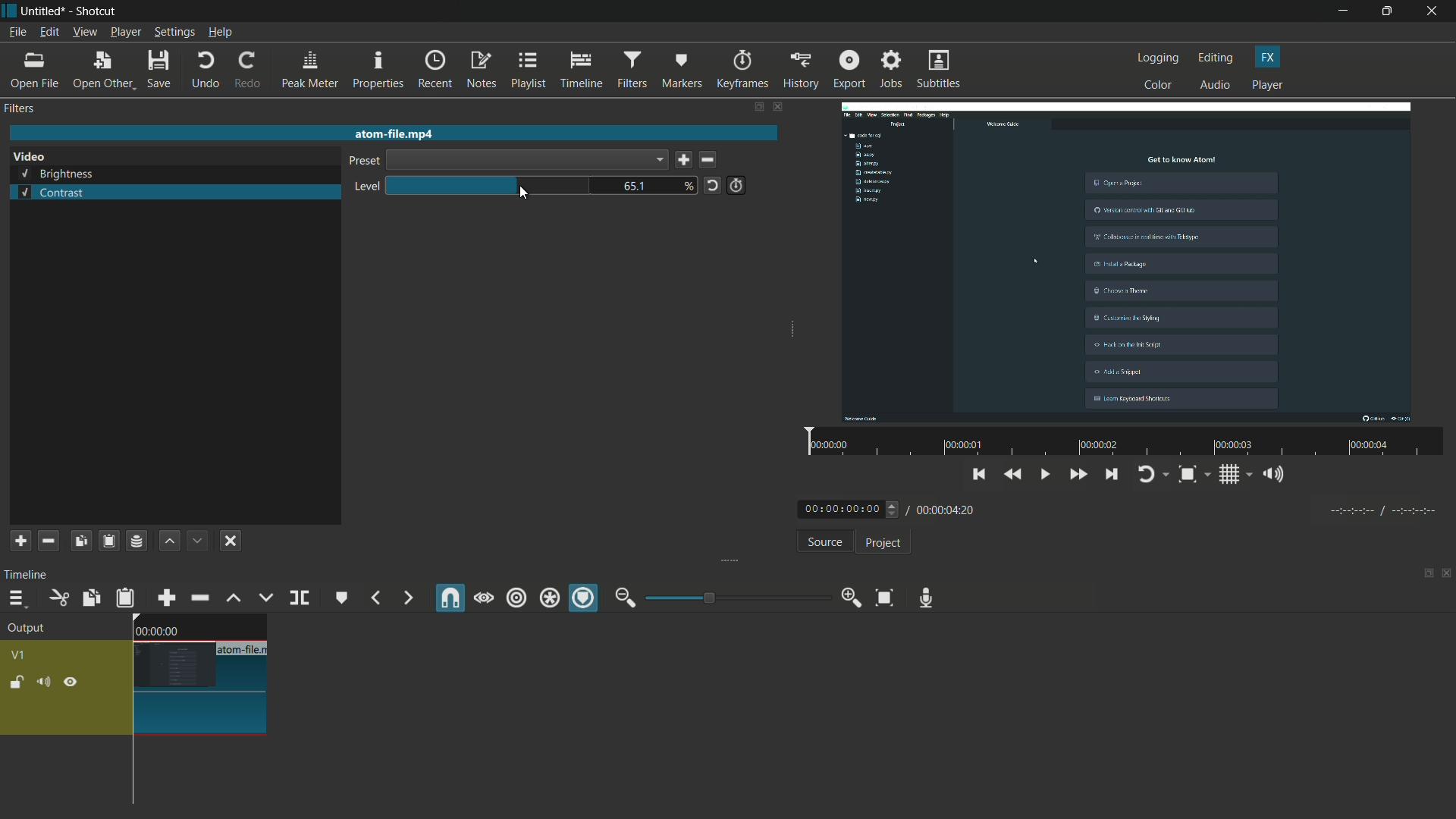 This screenshot has height=819, width=1456. What do you see at coordinates (451, 598) in the screenshot?
I see `snap` at bounding box center [451, 598].